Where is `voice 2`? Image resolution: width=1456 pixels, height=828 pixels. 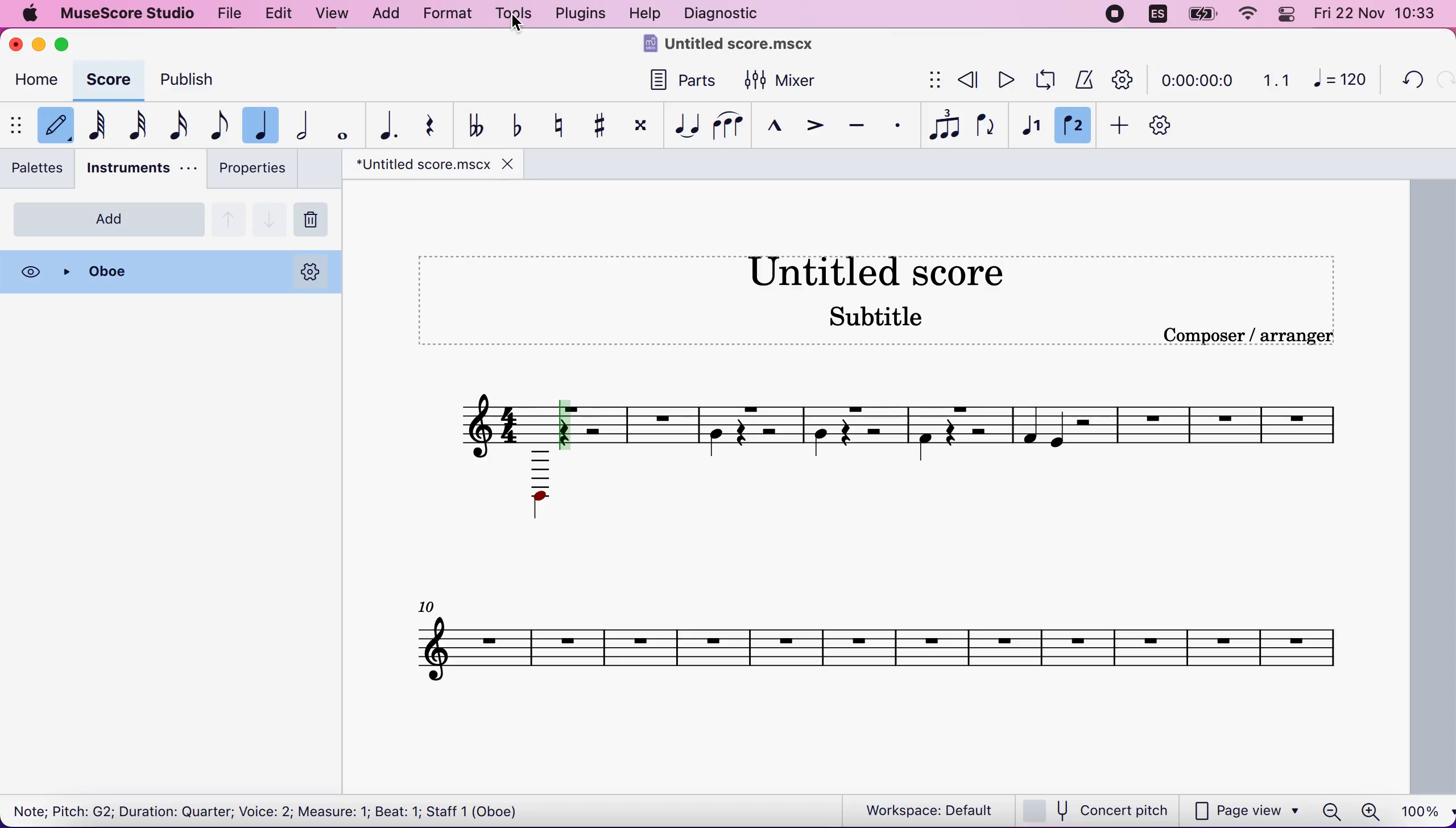 voice 2 is located at coordinates (1077, 125).